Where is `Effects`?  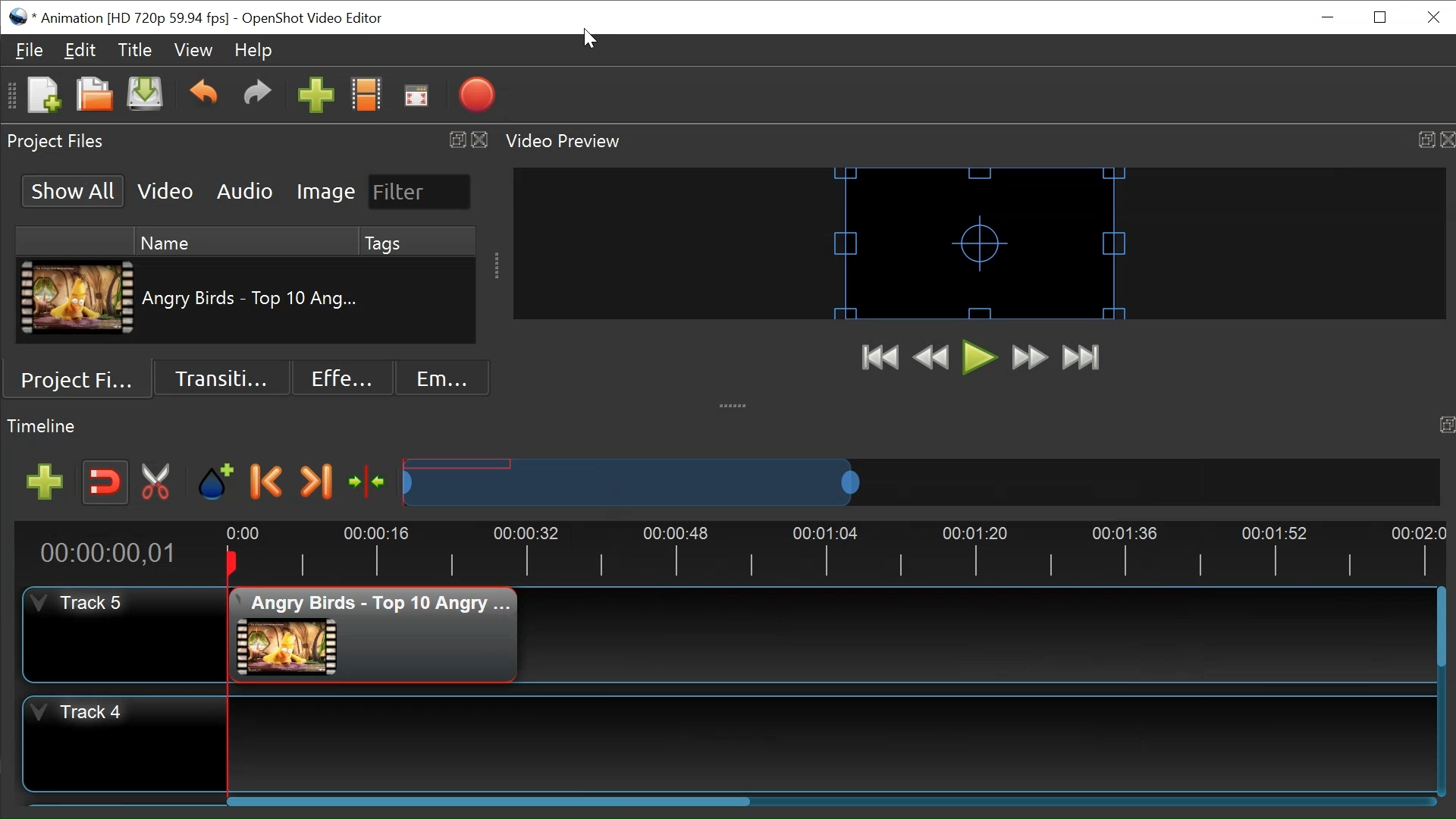
Effects is located at coordinates (344, 378).